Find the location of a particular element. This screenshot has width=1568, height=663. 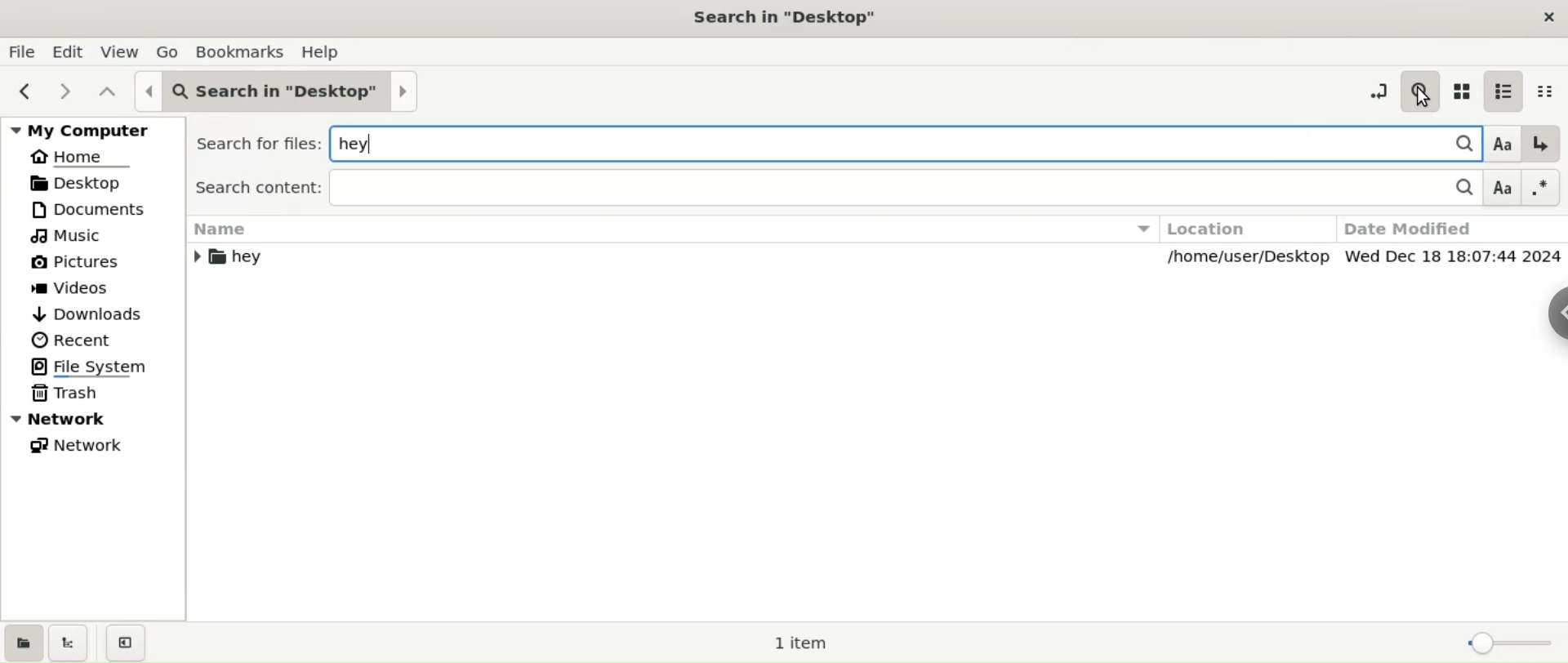

close sidebar is located at coordinates (124, 644).